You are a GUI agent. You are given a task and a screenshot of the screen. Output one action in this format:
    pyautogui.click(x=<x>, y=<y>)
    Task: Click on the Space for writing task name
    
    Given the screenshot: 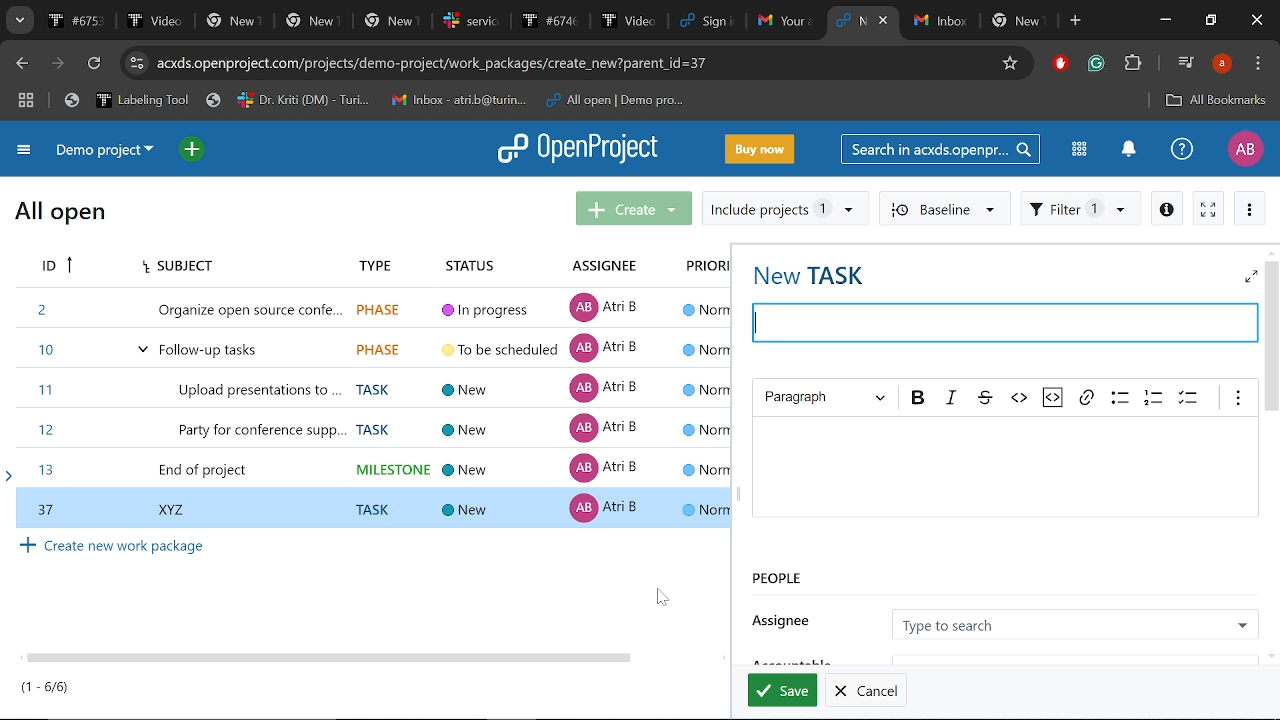 What is the action you would take?
    pyautogui.click(x=1004, y=320)
    